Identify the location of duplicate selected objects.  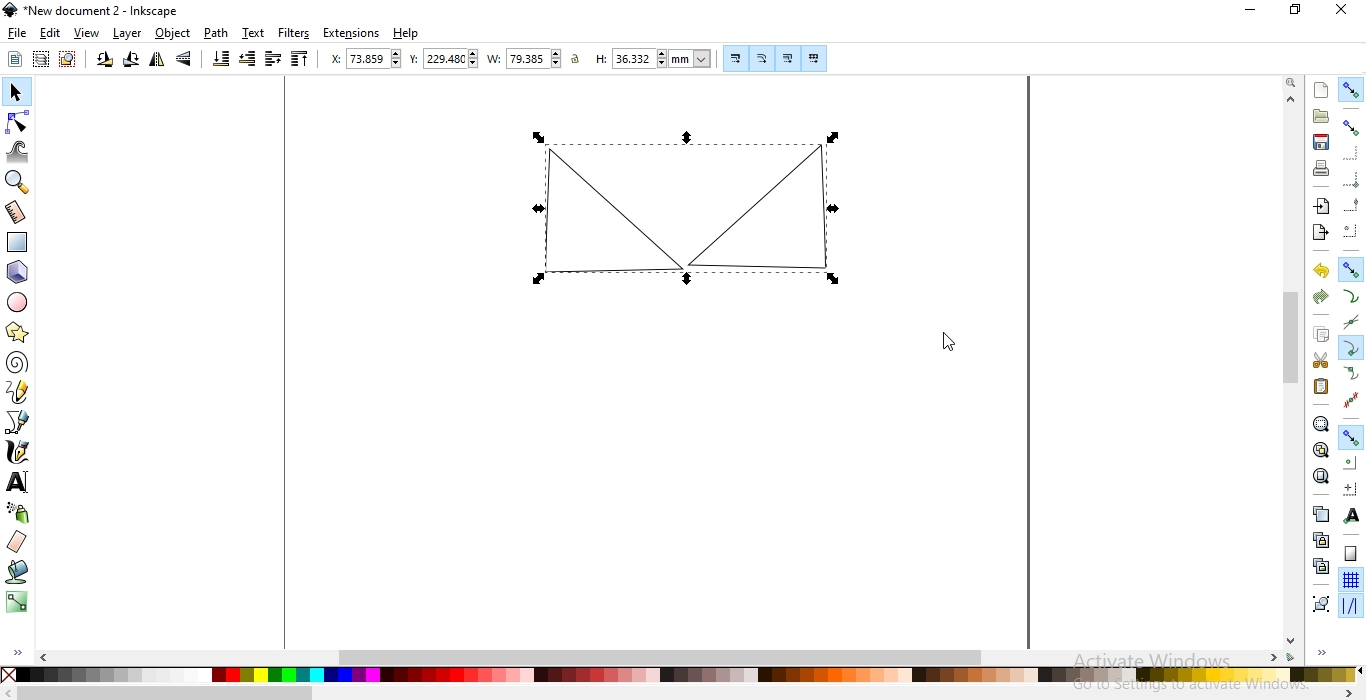
(1320, 513).